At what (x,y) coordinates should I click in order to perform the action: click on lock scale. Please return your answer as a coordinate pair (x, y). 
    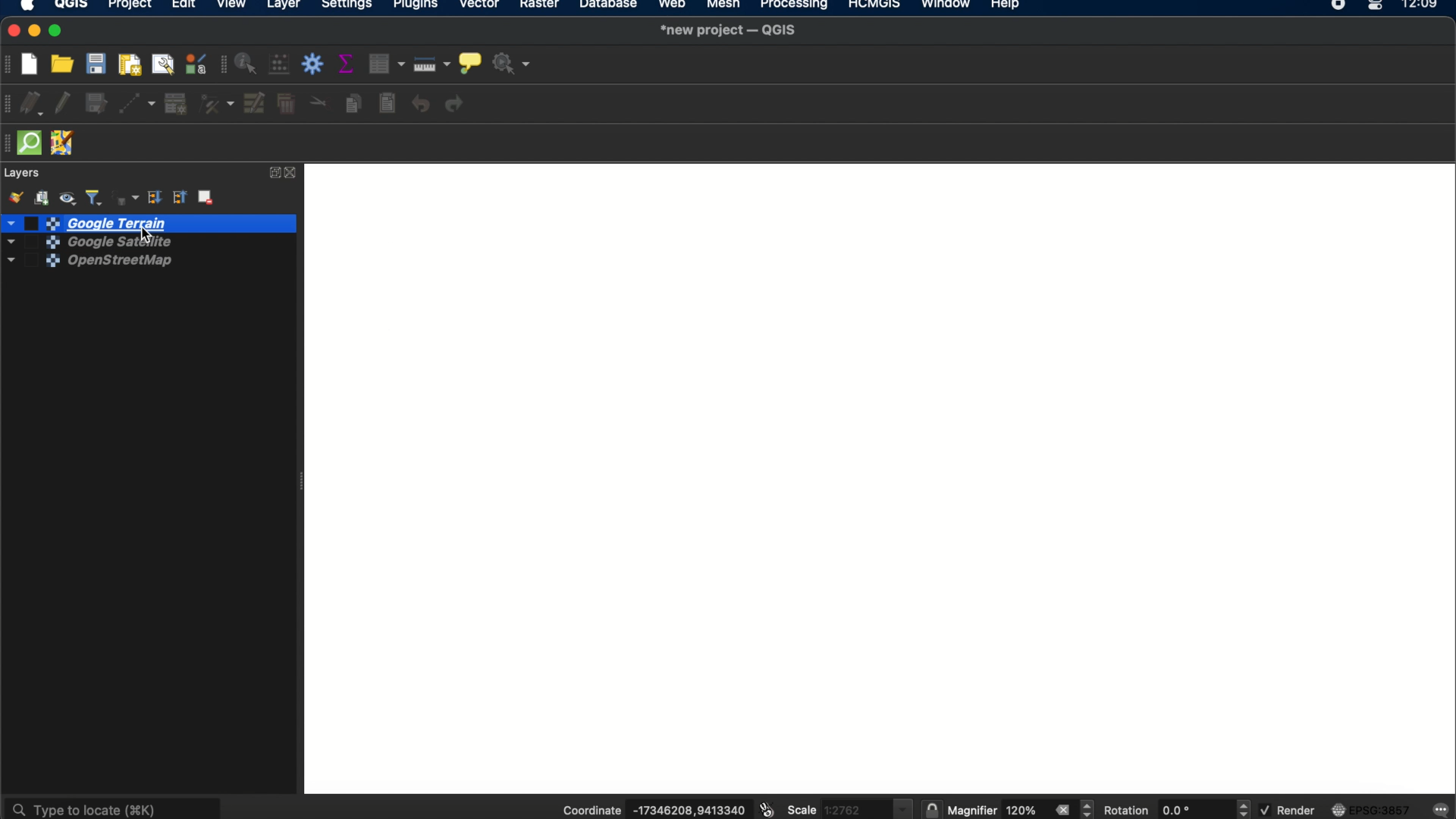
    Looking at the image, I should click on (931, 810).